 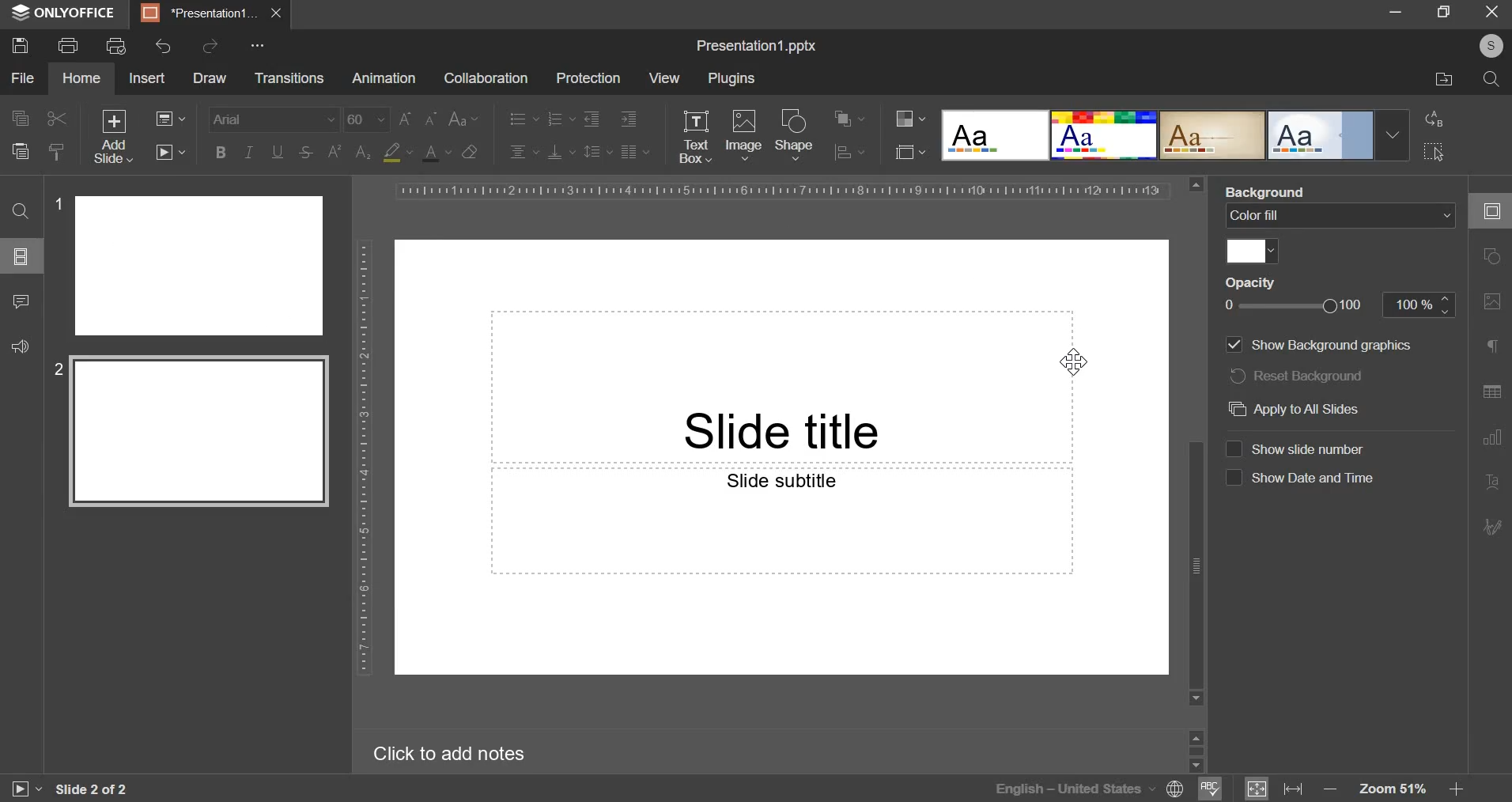 What do you see at coordinates (1258, 283) in the screenshot?
I see `opacity` at bounding box center [1258, 283].